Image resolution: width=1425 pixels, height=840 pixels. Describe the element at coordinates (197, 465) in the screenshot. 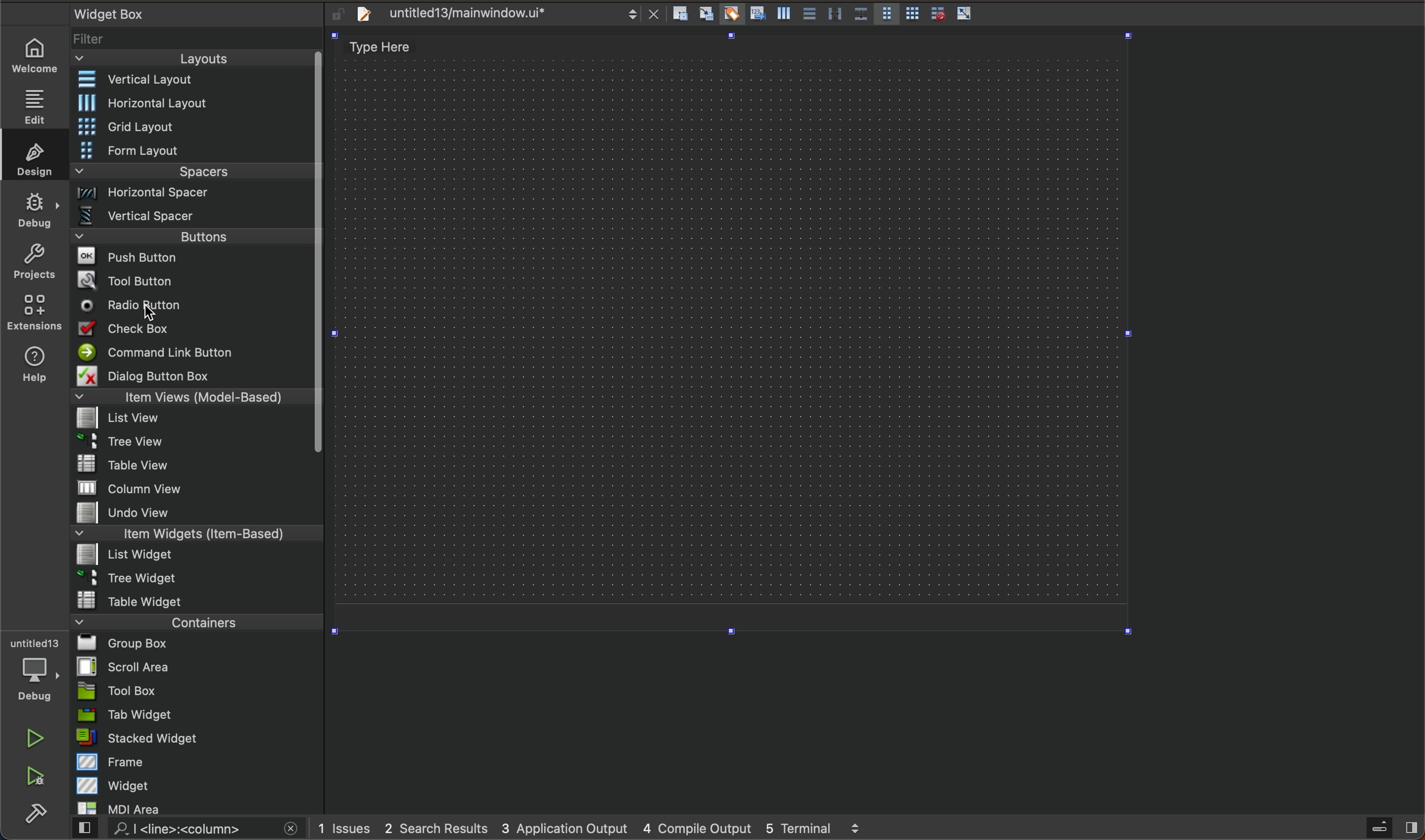

I see `table view` at that location.